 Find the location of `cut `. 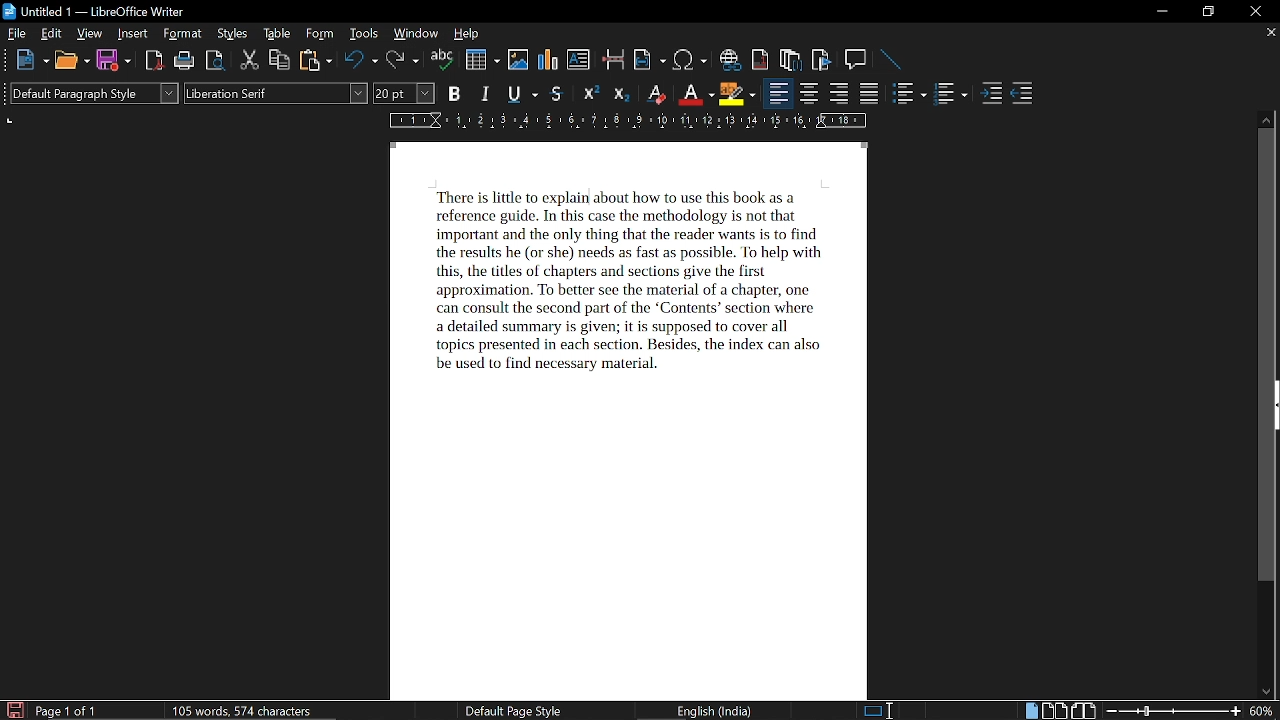

cut  is located at coordinates (249, 62).